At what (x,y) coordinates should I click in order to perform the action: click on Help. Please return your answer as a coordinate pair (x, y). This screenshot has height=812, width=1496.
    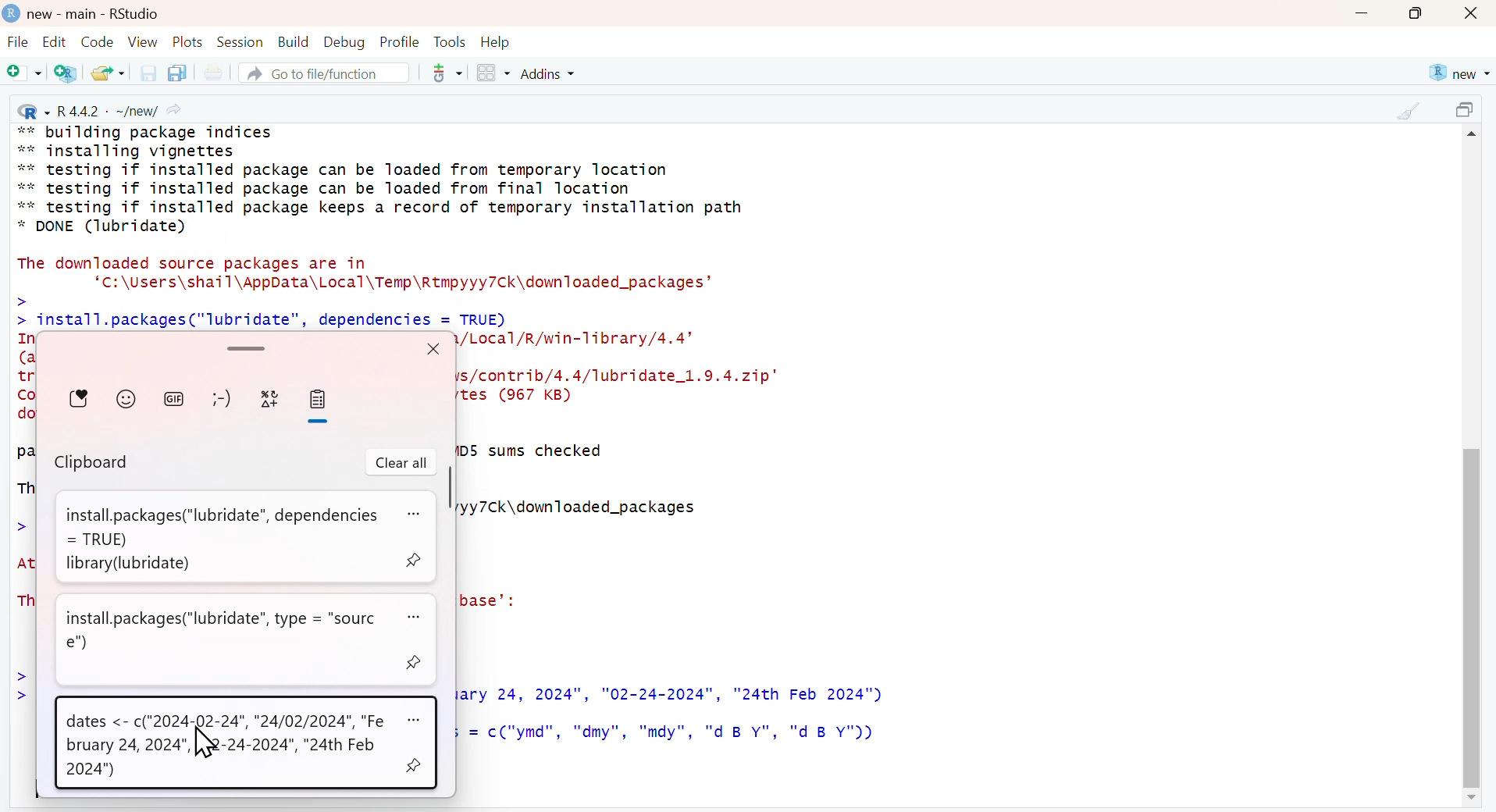
    Looking at the image, I should click on (496, 42).